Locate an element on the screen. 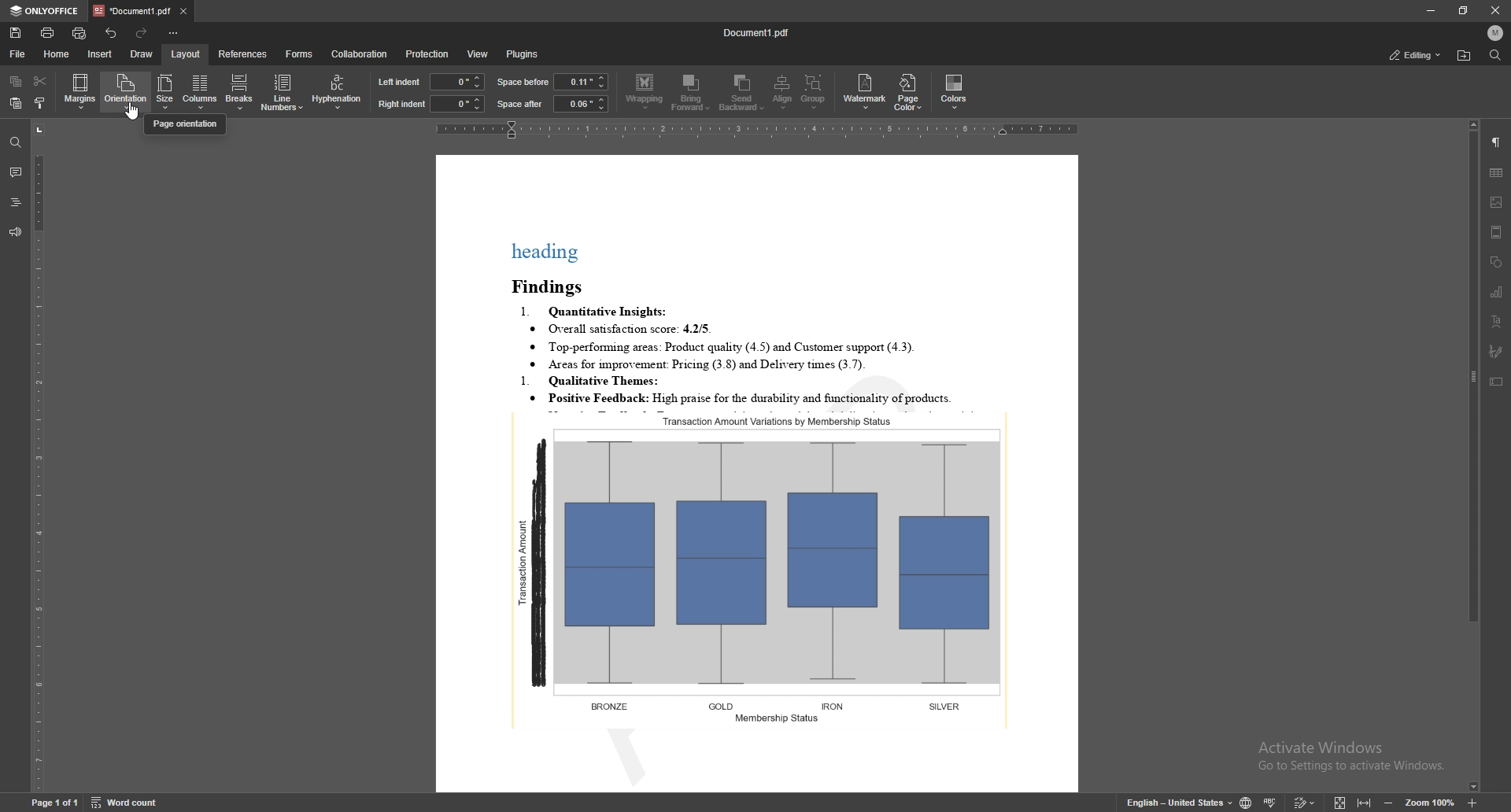  change text language is located at coordinates (1180, 800).